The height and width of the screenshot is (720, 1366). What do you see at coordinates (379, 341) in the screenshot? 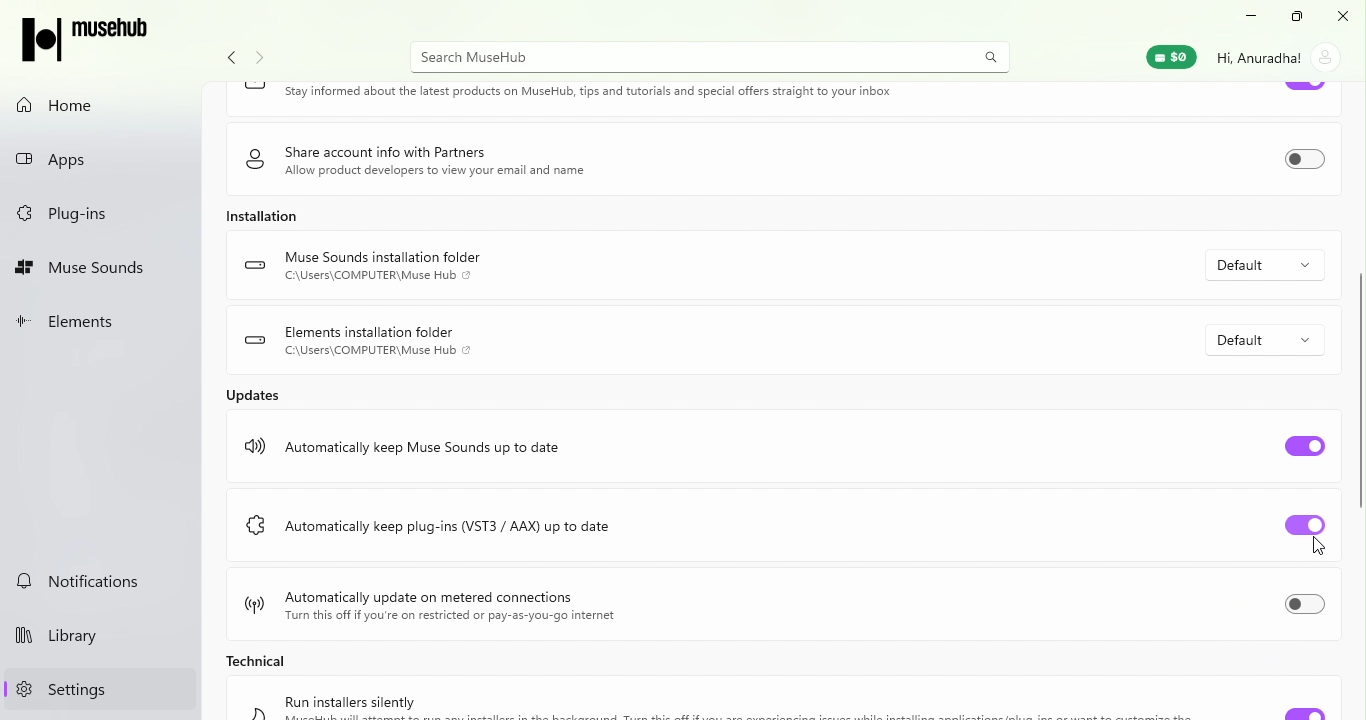
I see `Elements installation folder C:\Users\COMPUTER\Muse Hub ` at bounding box center [379, 341].